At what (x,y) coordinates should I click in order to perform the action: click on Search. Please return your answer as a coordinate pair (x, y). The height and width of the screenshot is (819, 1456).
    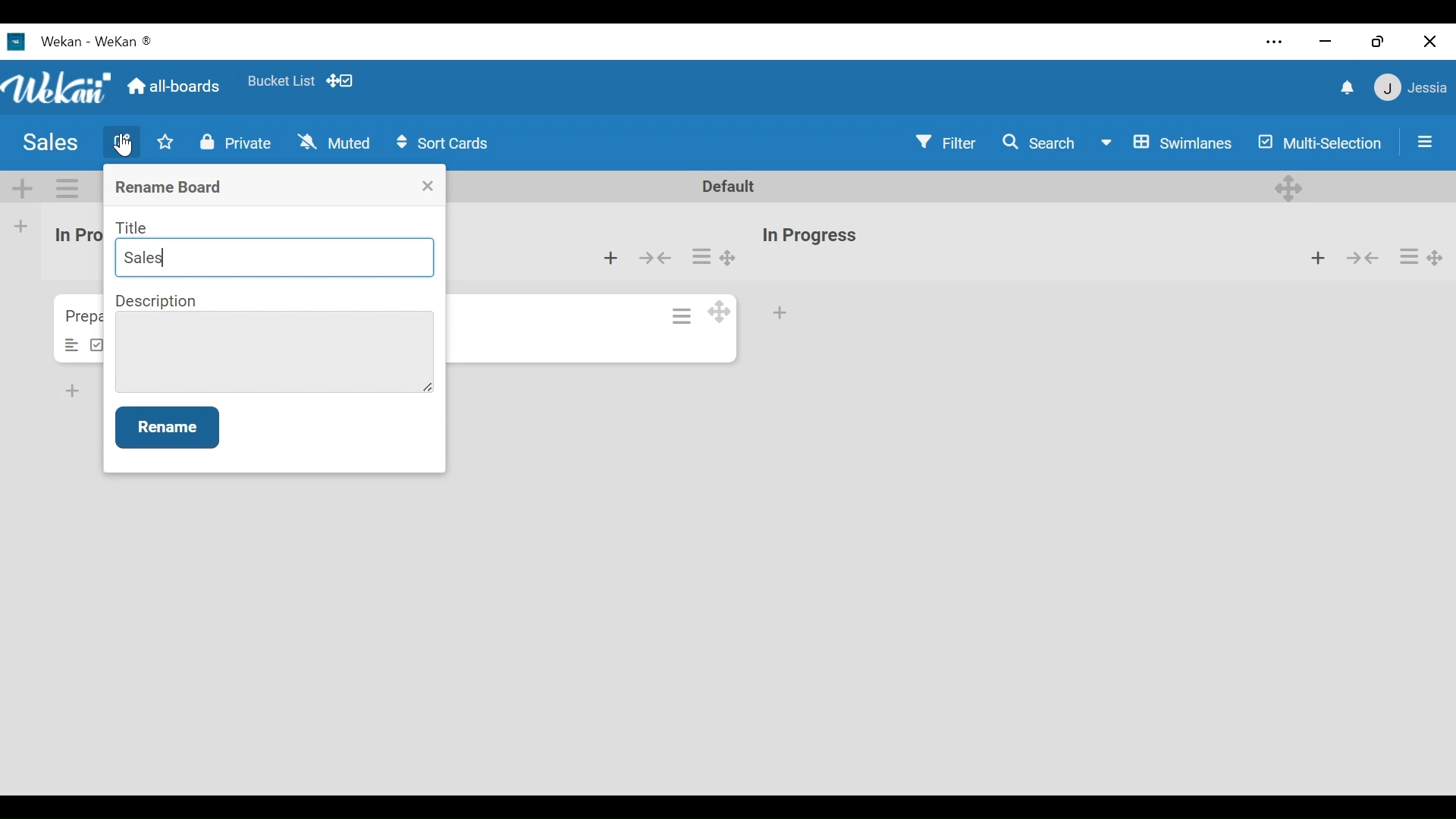
    Looking at the image, I should click on (1041, 143).